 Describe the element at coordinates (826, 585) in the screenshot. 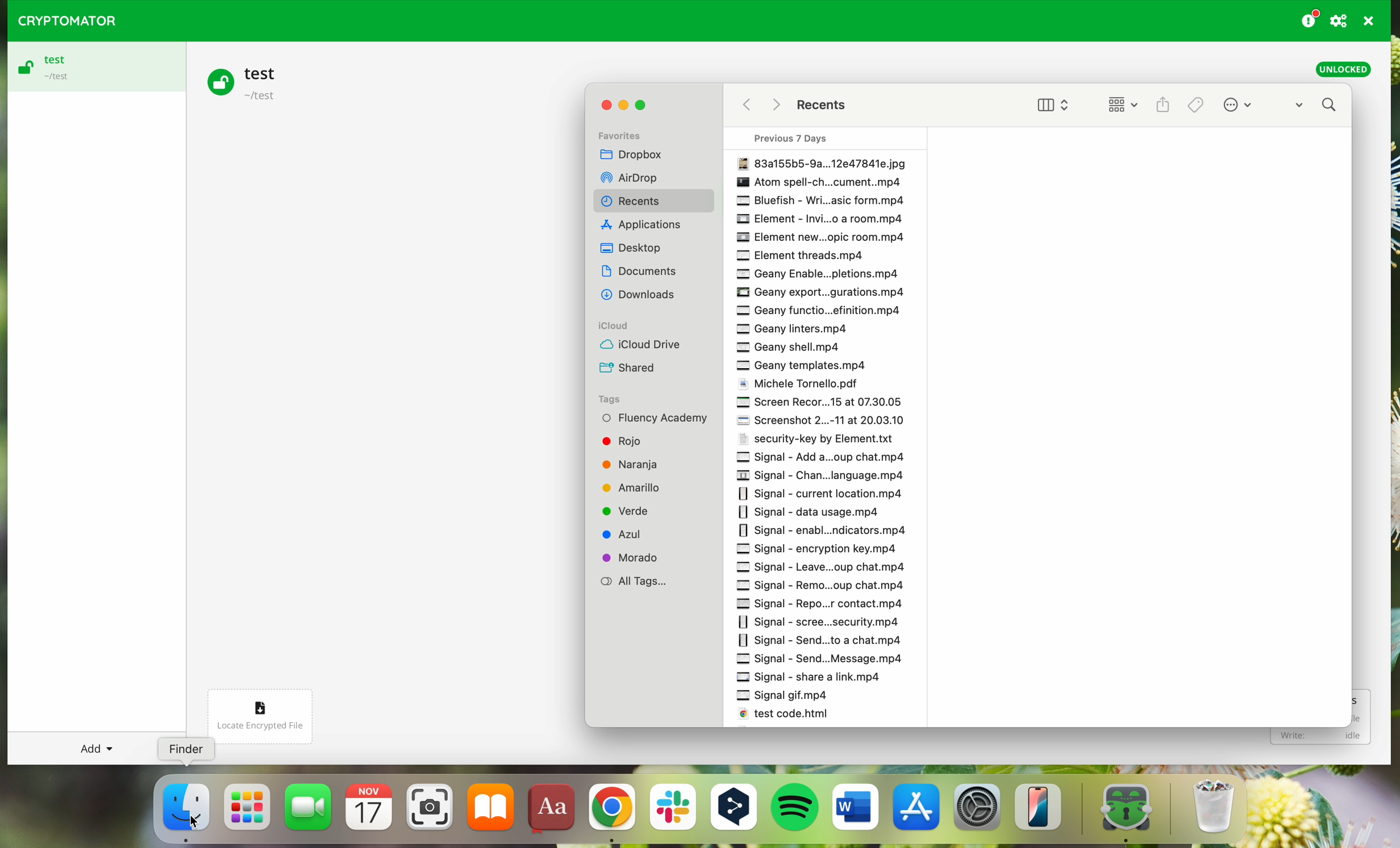

I see `Signal Remo` at that location.